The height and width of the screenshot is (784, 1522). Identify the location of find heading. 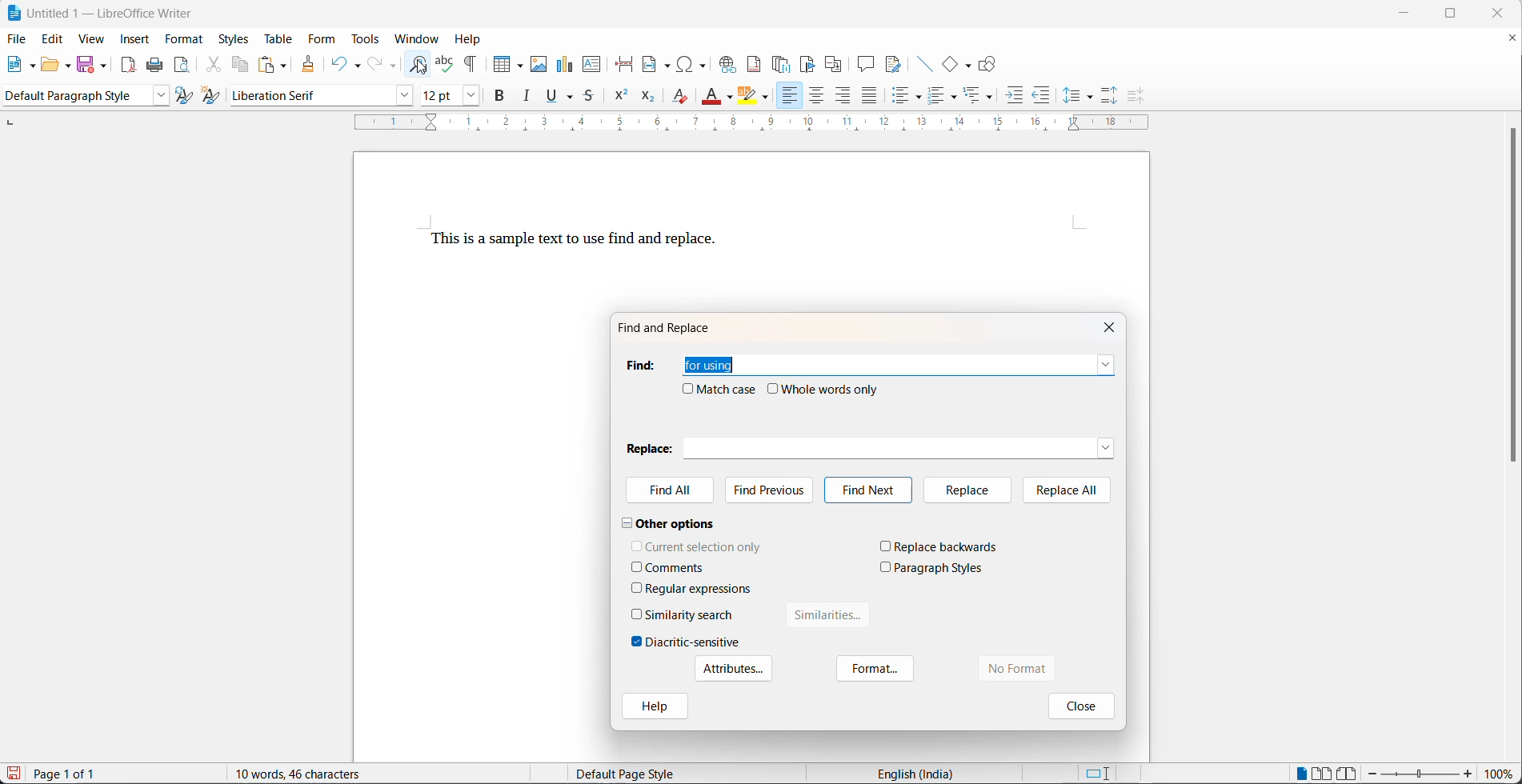
(639, 365).